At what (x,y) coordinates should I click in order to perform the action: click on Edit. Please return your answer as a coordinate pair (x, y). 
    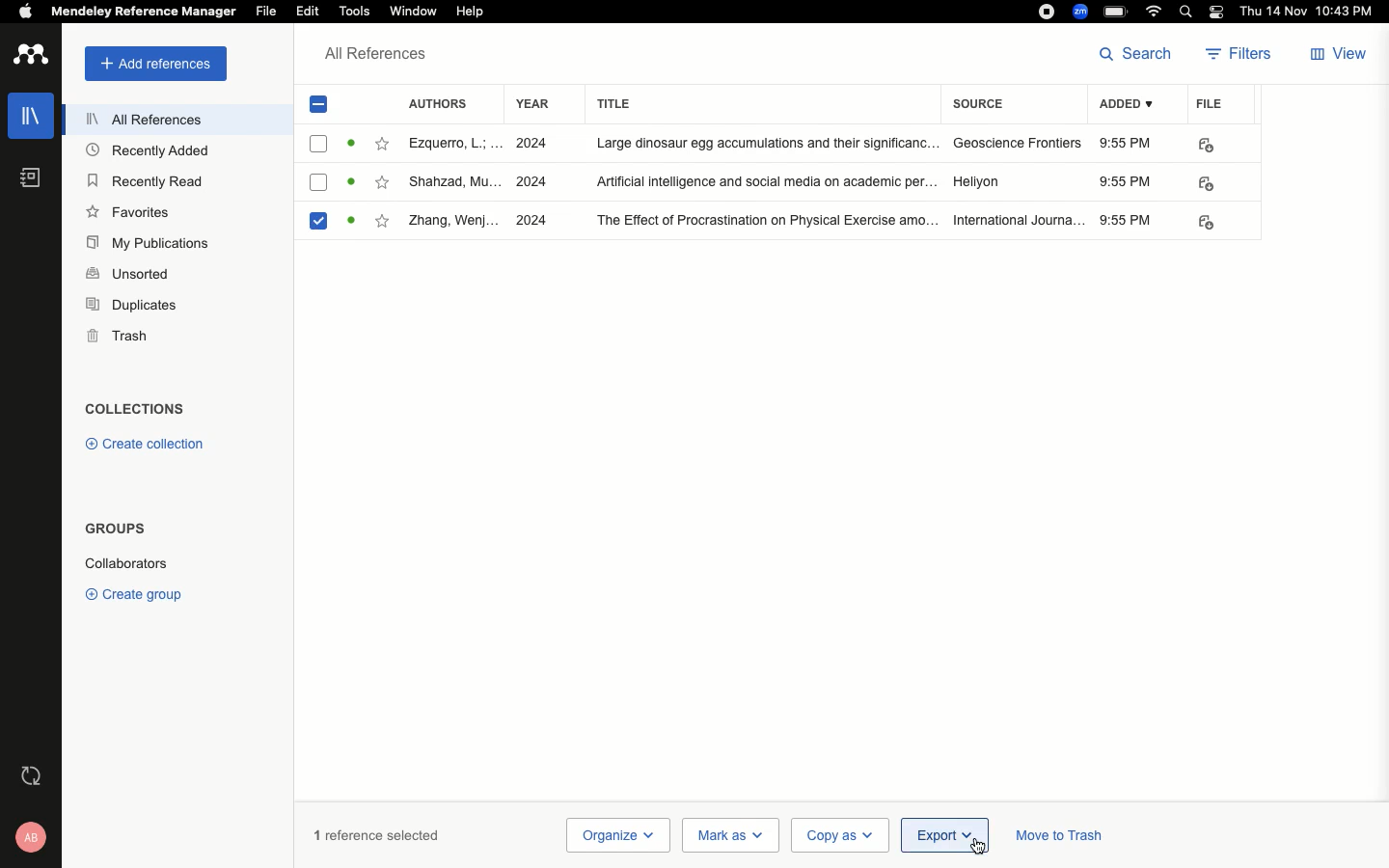
    Looking at the image, I should click on (309, 13).